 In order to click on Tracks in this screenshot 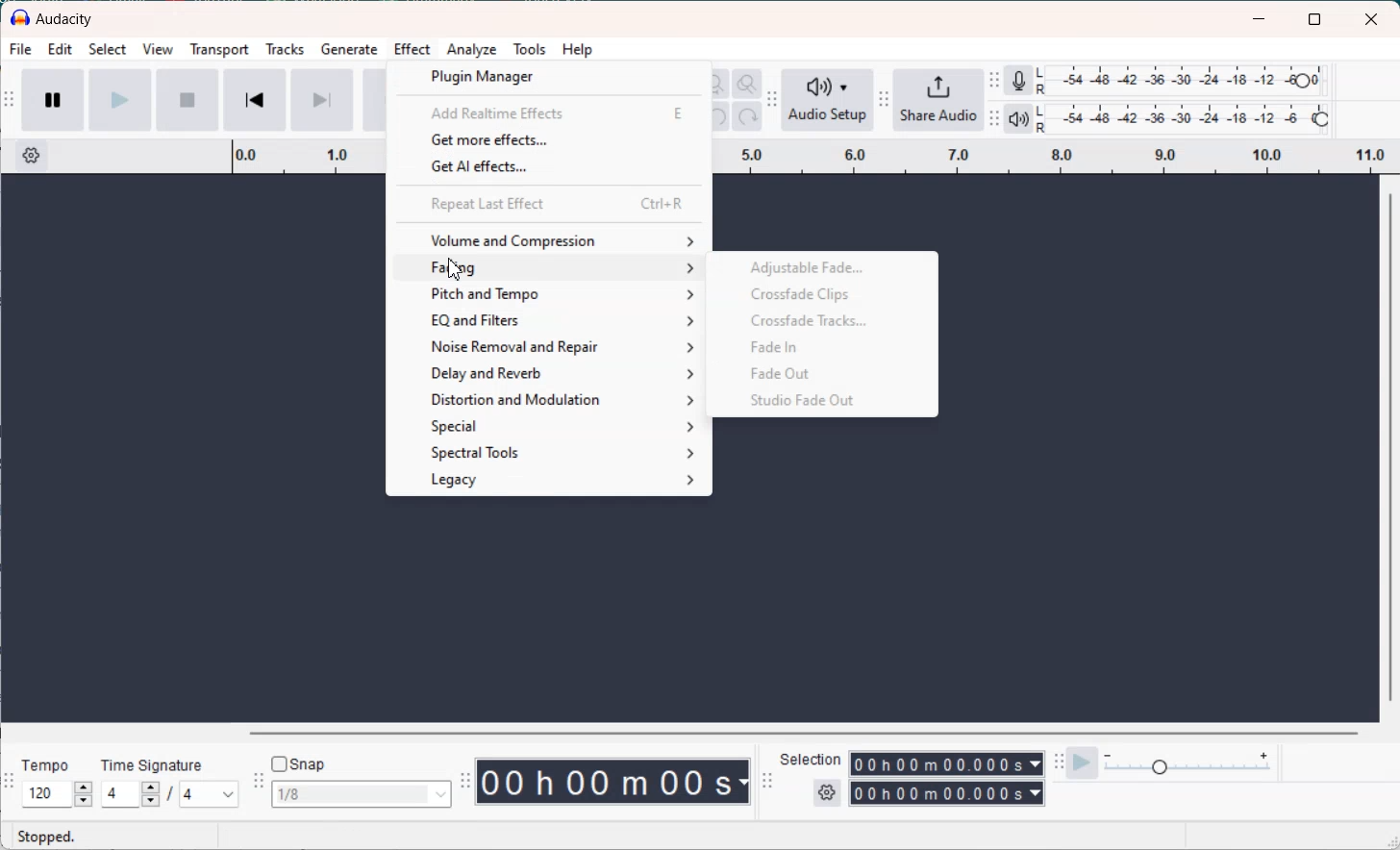, I will do `click(284, 51)`.